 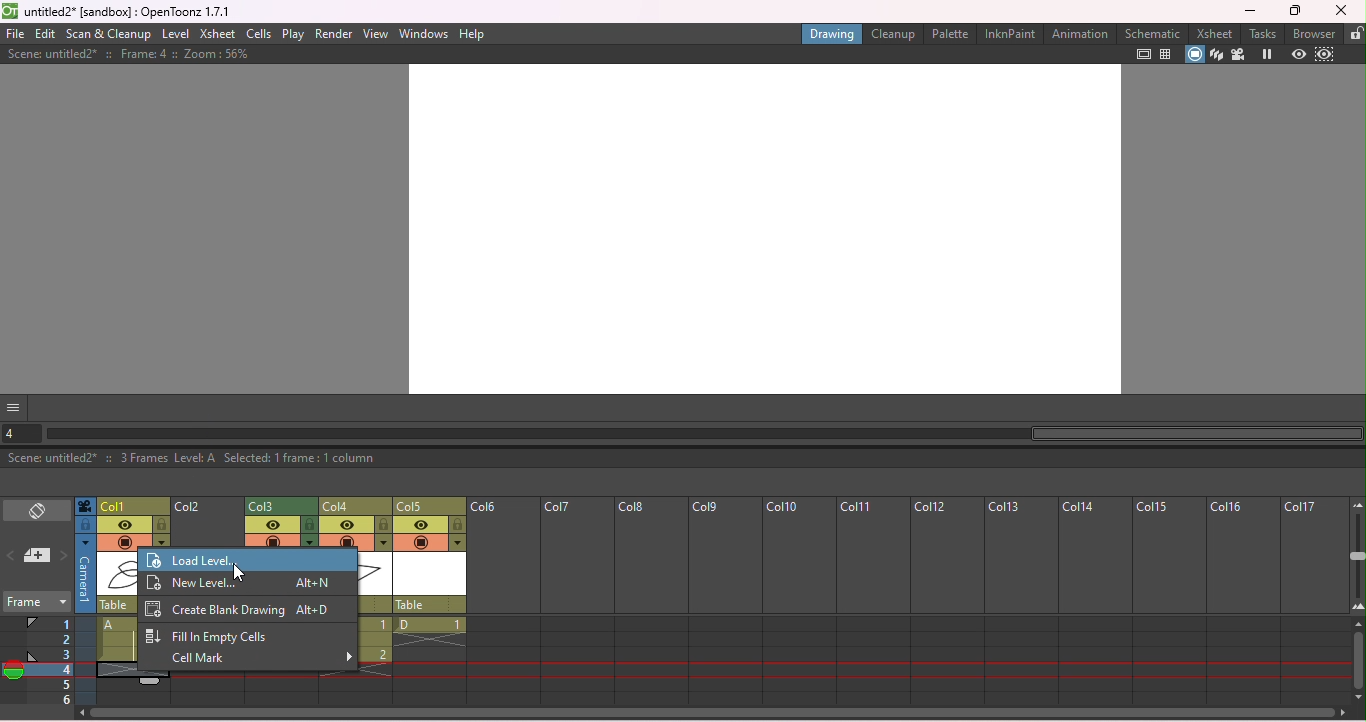 I want to click on Additional column settigs, so click(x=460, y=543).